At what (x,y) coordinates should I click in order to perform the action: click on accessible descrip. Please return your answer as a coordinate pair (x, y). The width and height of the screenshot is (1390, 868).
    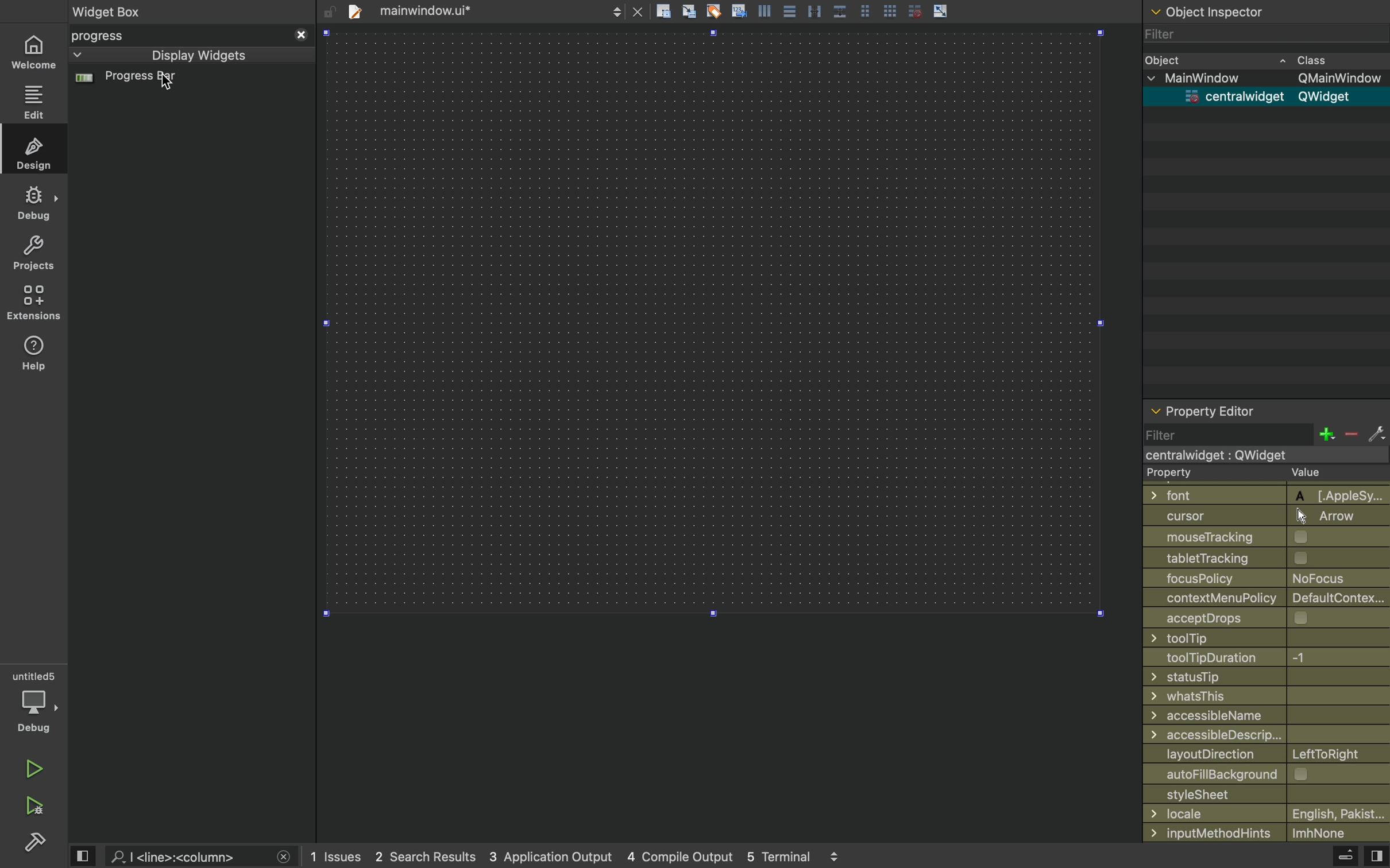
    Looking at the image, I should click on (1251, 735).